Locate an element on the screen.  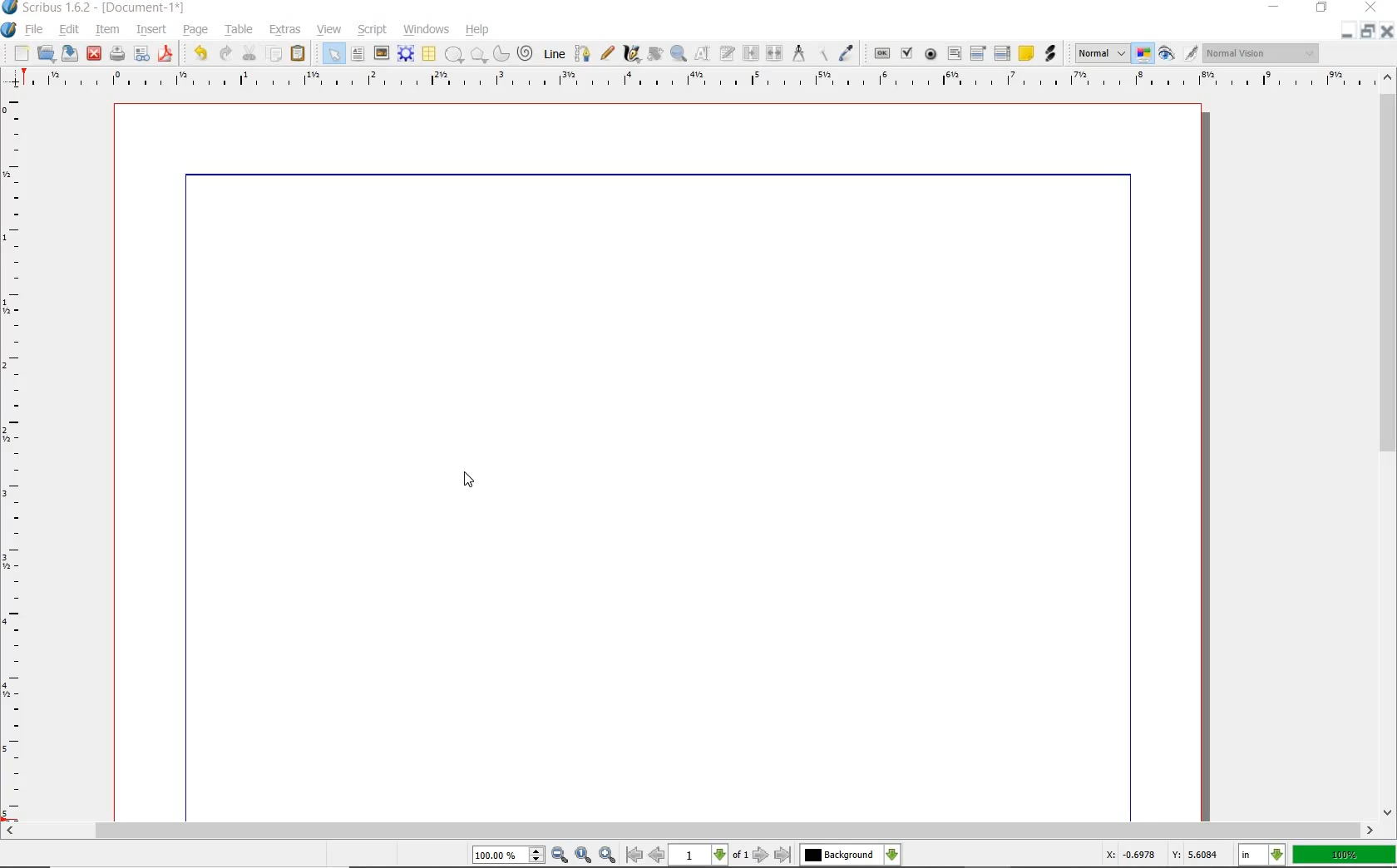
PDF CHECK BOX is located at coordinates (906, 52).